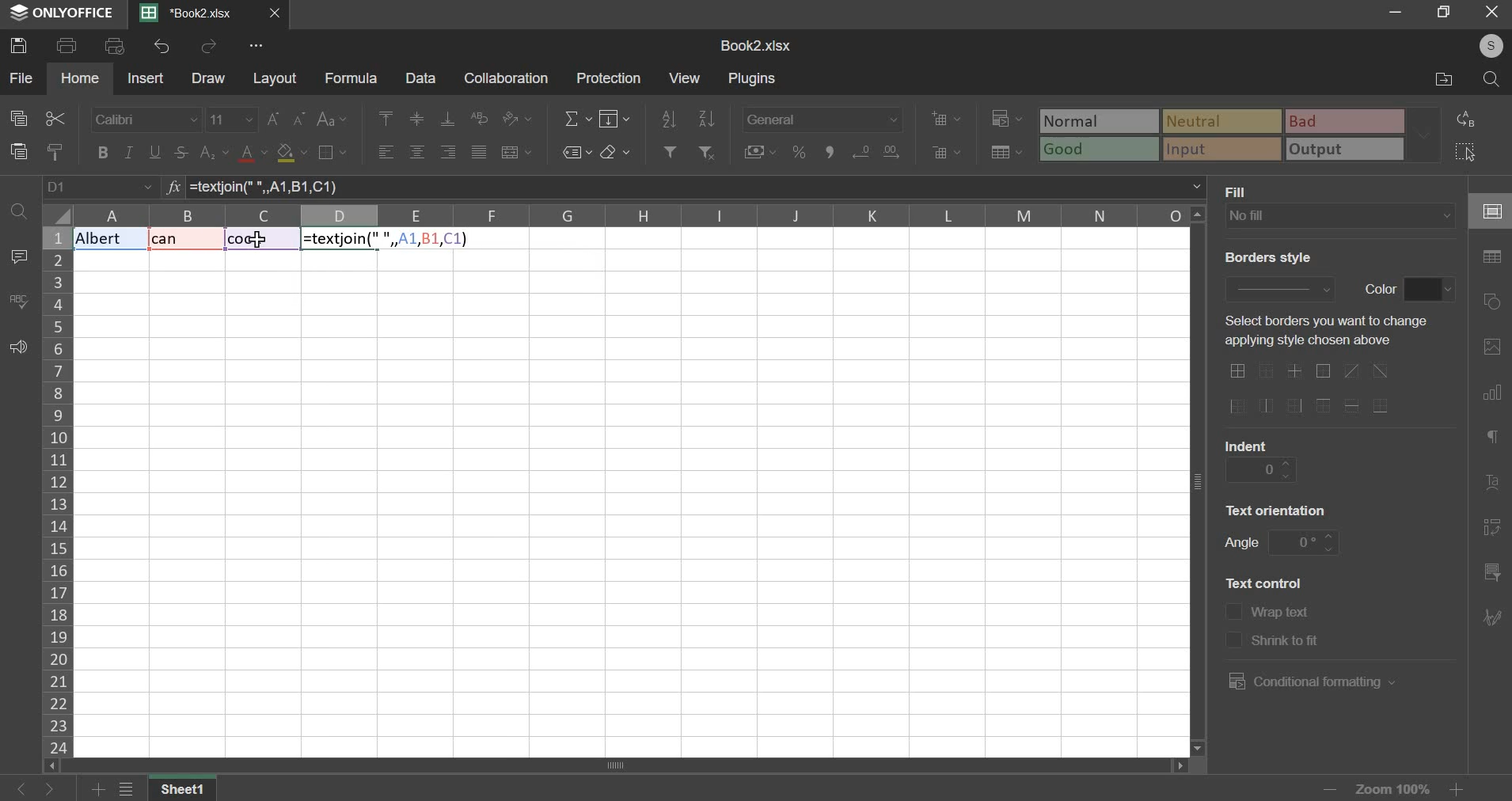  Describe the element at coordinates (1491, 439) in the screenshot. I see `paragraph` at that location.